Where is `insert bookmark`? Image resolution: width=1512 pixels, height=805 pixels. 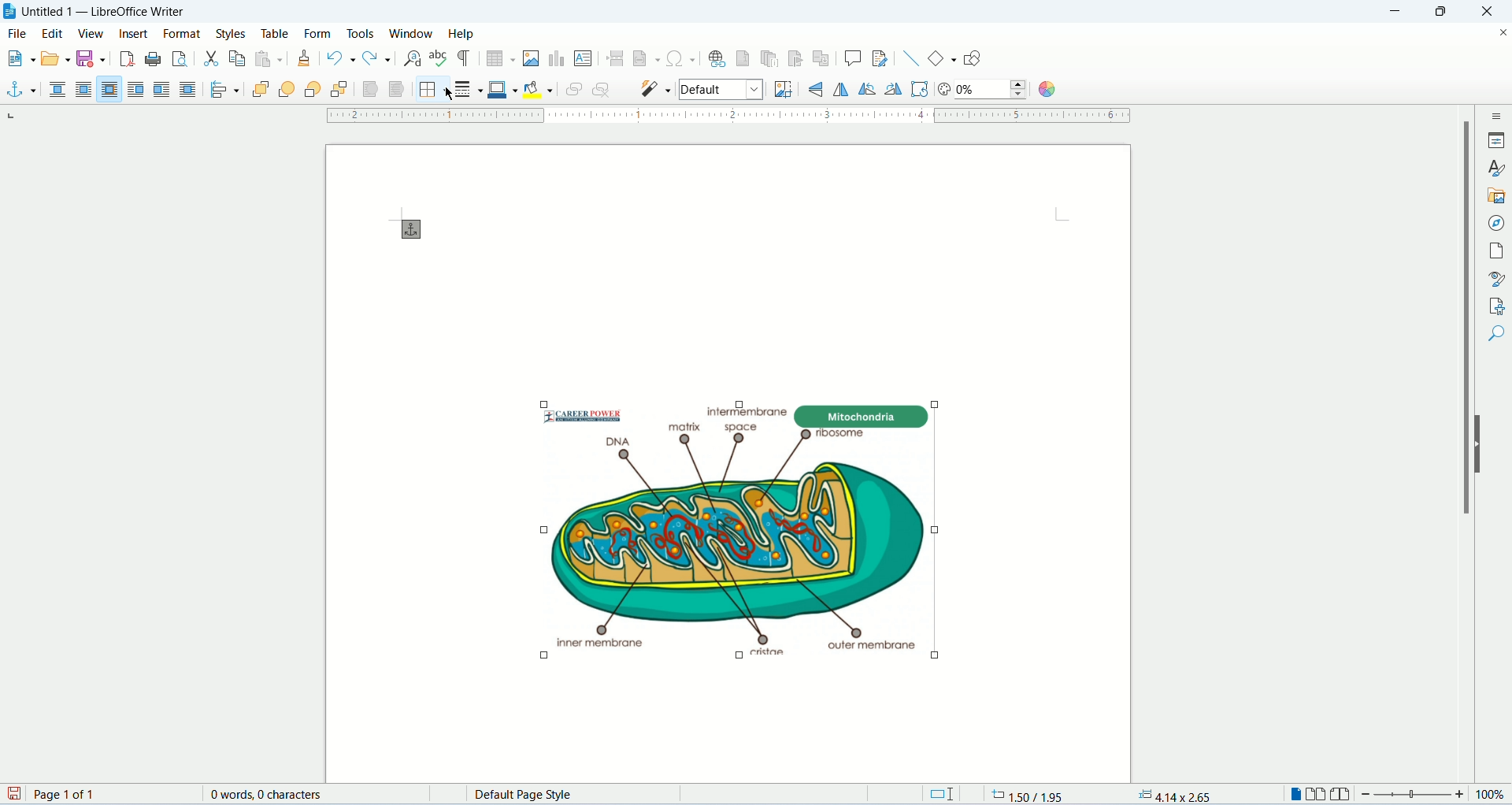
insert bookmark is located at coordinates (795, 58).